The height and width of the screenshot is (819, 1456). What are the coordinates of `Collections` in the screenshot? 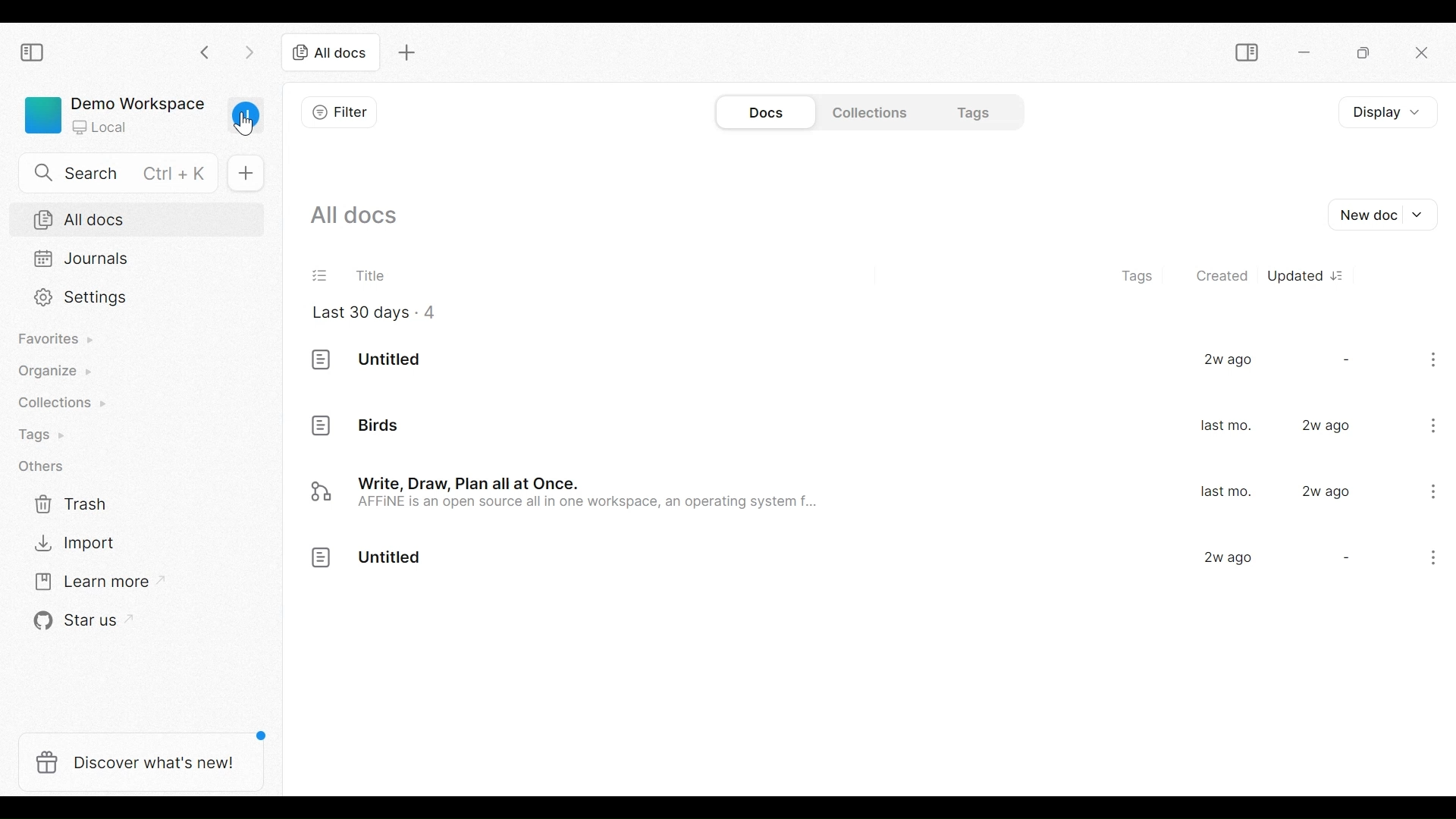 It's located at (58, 402).